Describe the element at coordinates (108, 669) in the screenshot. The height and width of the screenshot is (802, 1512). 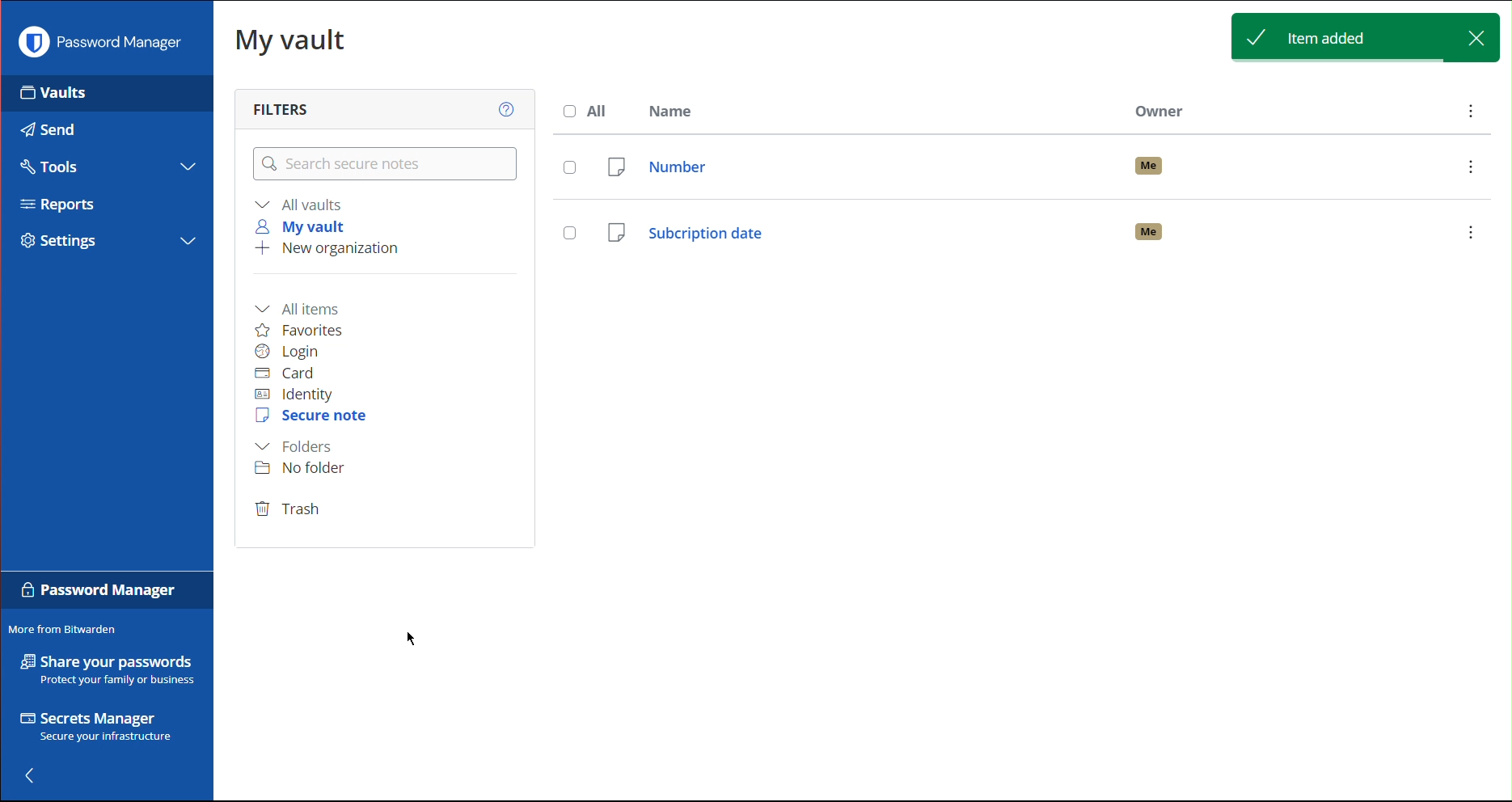
I see `Share your passwords` at that location.